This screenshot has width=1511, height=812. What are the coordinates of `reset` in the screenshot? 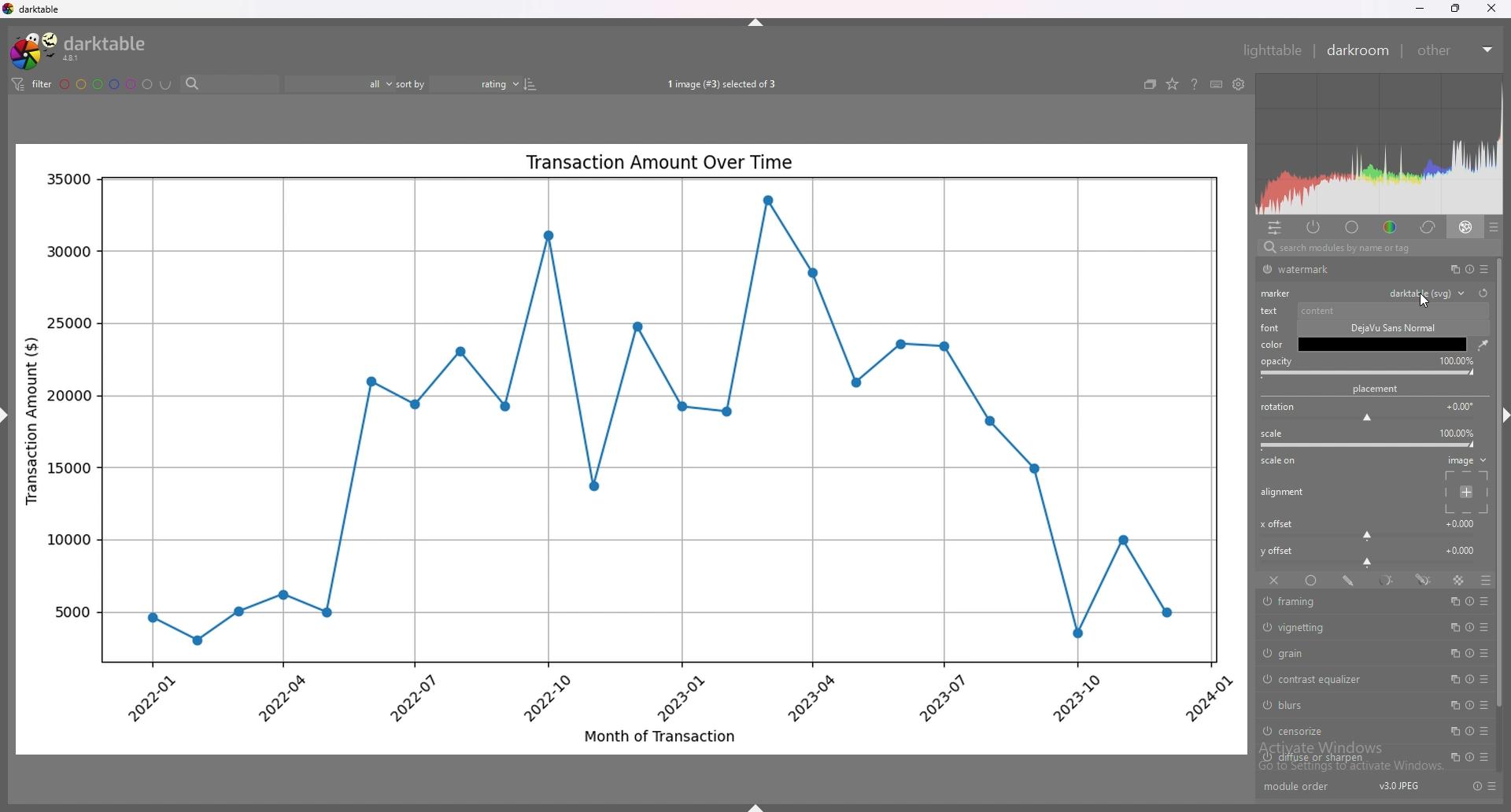 It's located at (1469, 653).